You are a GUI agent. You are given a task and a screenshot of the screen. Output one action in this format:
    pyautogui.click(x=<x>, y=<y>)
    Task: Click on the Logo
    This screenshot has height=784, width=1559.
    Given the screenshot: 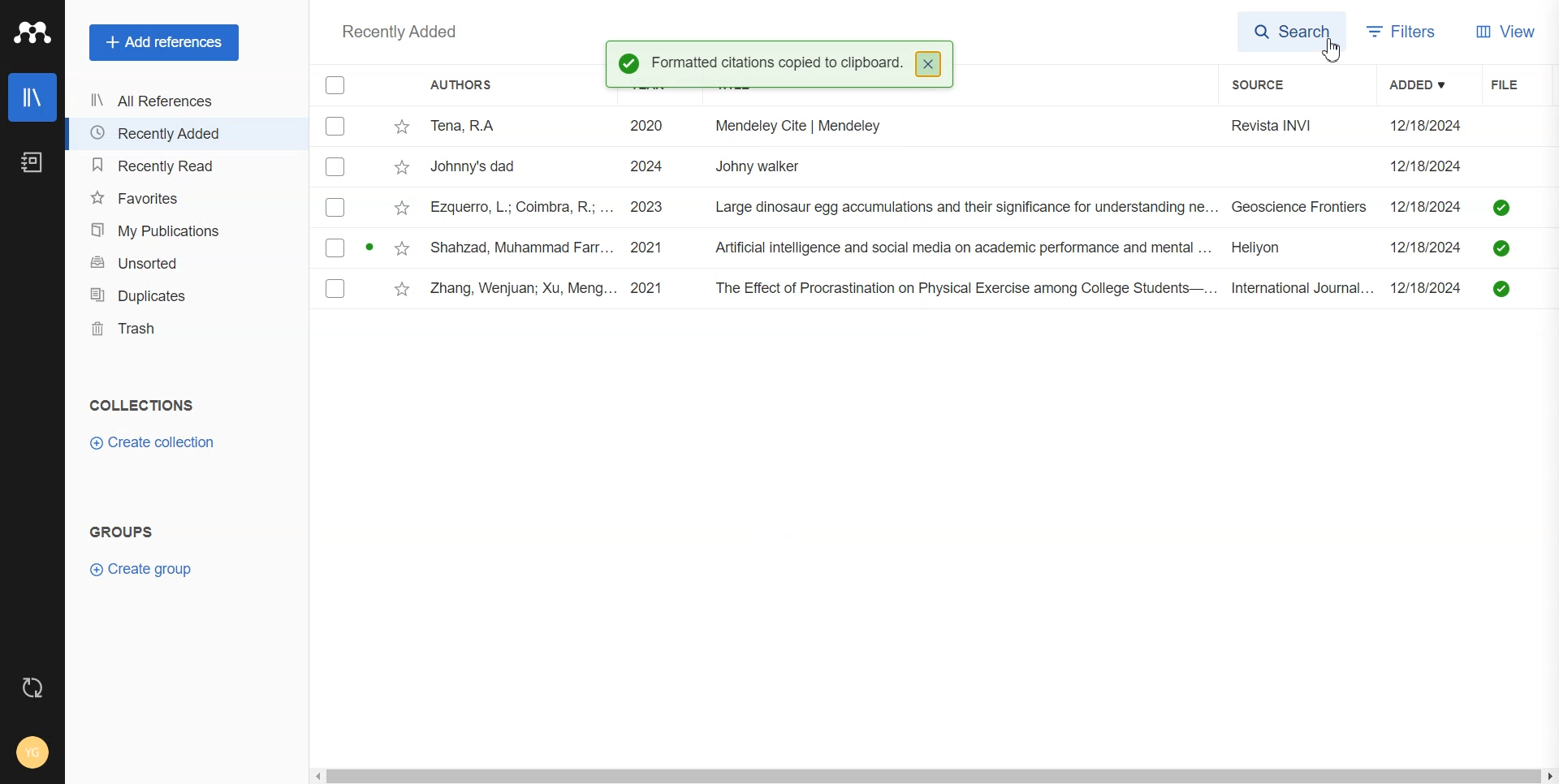 What is the action you would take?
    pyautogui.click(x=32, y=33)
    